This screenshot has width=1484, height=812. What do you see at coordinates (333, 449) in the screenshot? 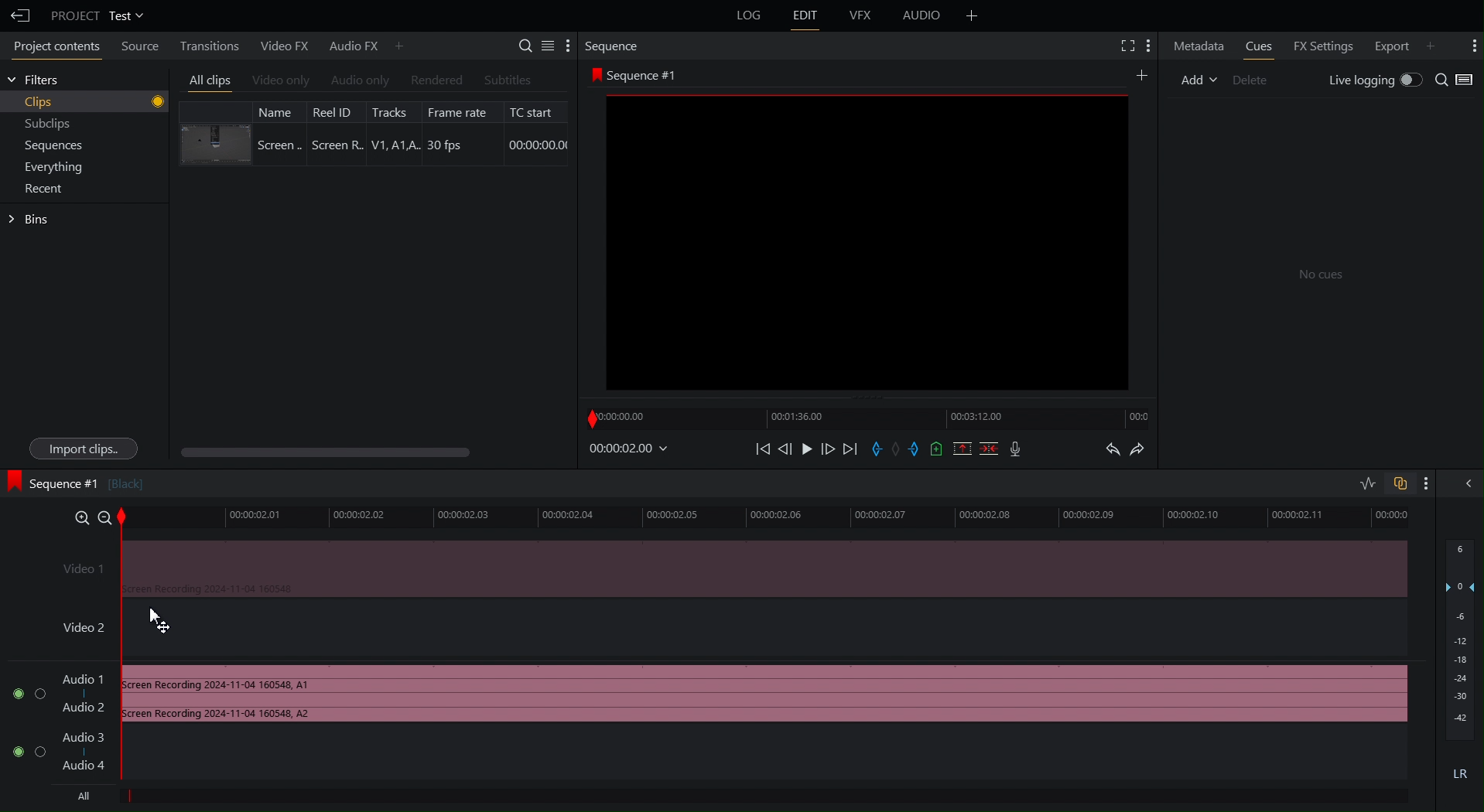
I see `Scroll bar` at bounding box center [333, 449].